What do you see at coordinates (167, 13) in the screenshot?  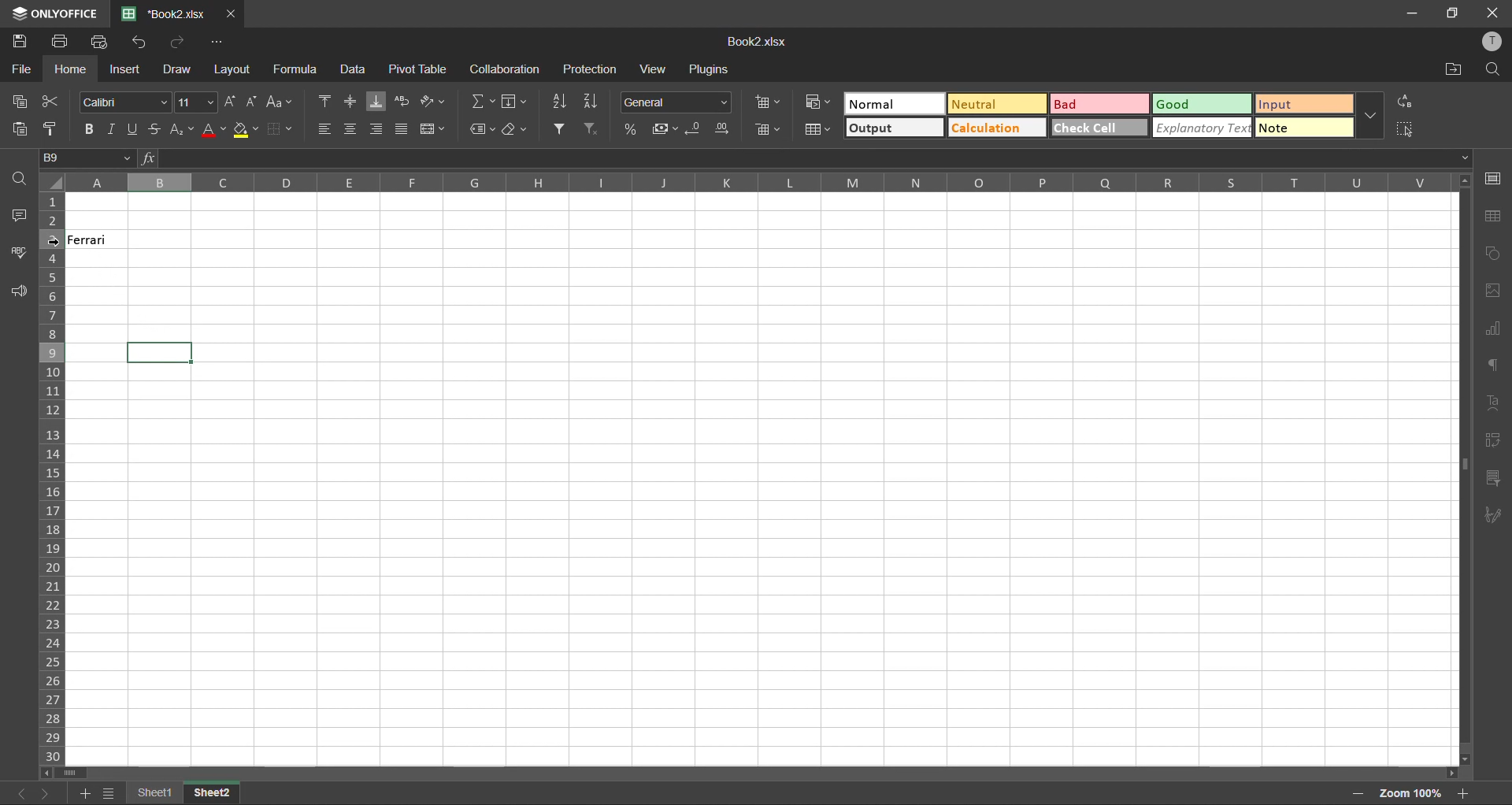 I see `*Book2.xlsx` at bounding box center [167, 13].